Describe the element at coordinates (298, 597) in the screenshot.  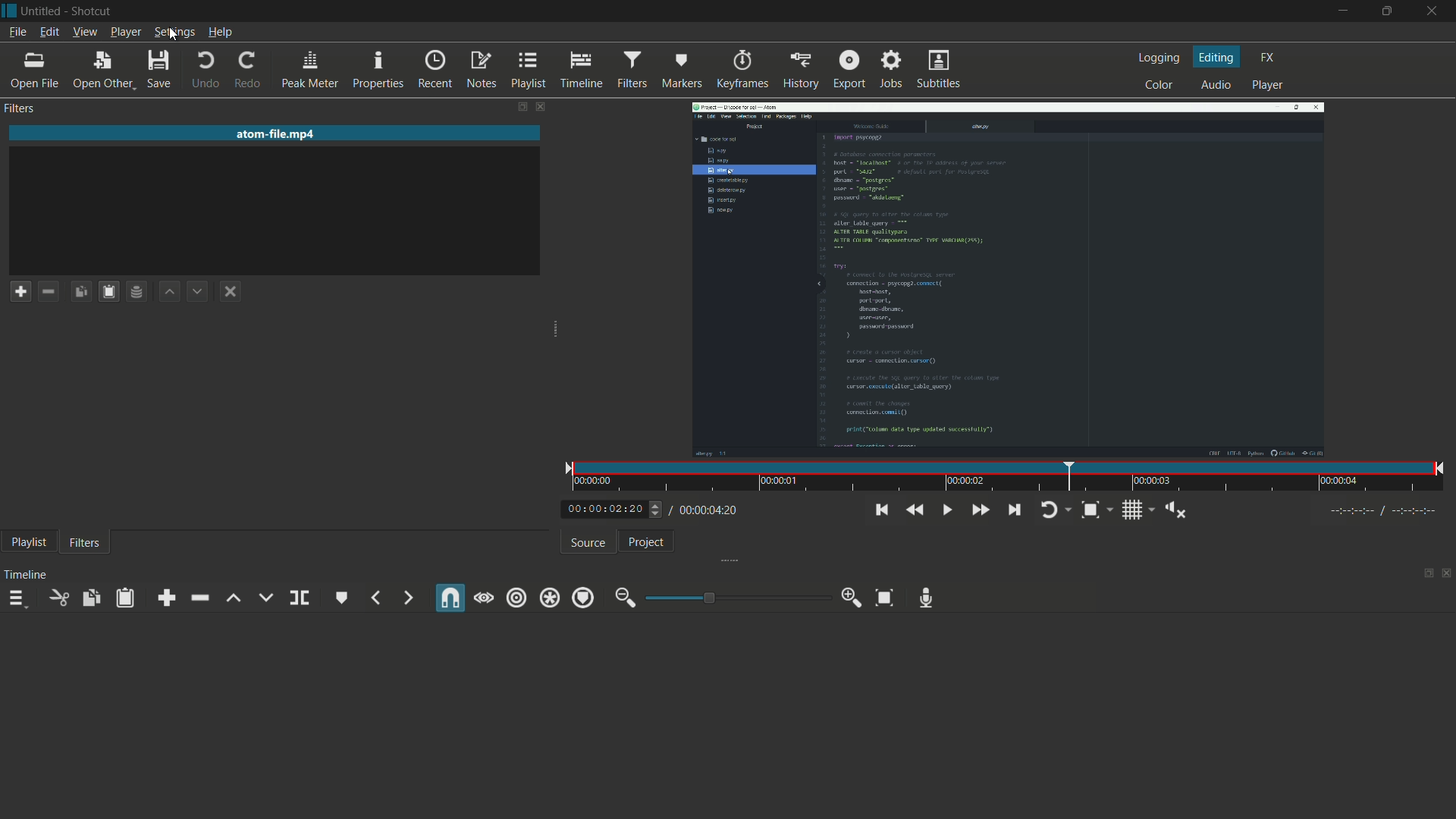
I see `split at playhead` at that location.